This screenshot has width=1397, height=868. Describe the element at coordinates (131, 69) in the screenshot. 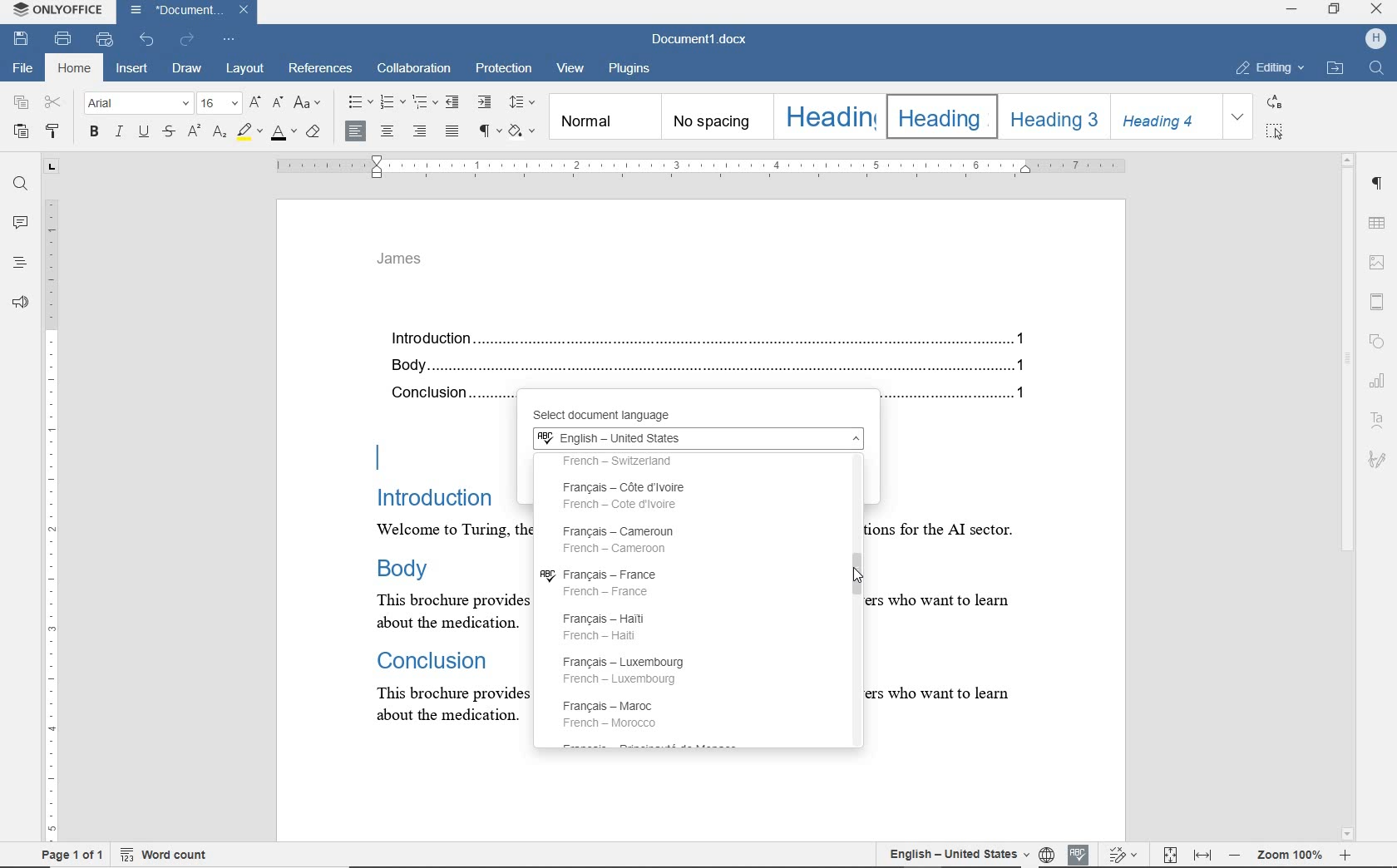

I see `insert` at that location.